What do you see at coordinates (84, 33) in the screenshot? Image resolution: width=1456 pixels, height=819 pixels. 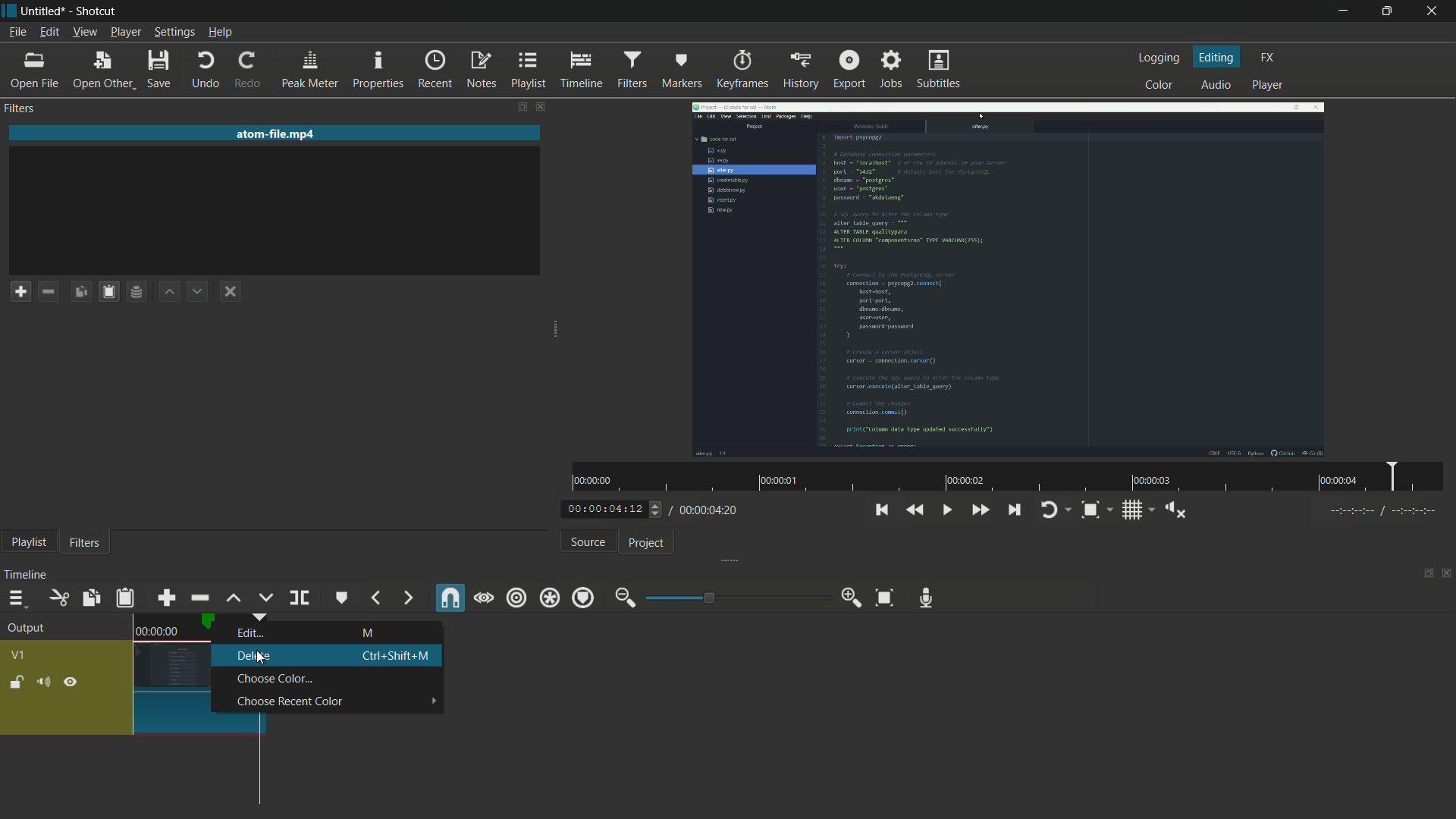 I see `view menu` at bounding box center [84, 33].